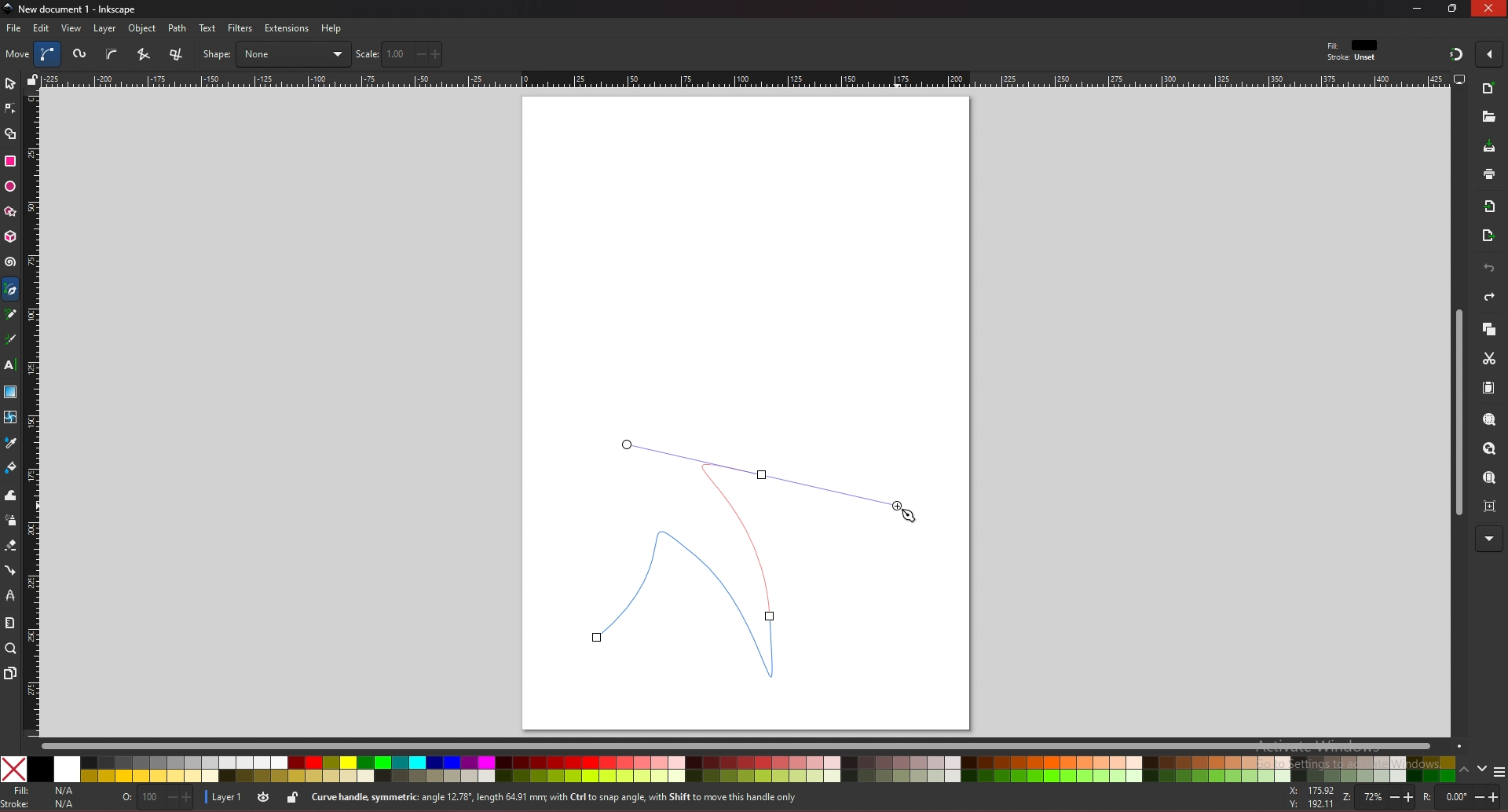 This screenshot has width=1508, height=812. I want to click on bezier curve, so click(743, 558).